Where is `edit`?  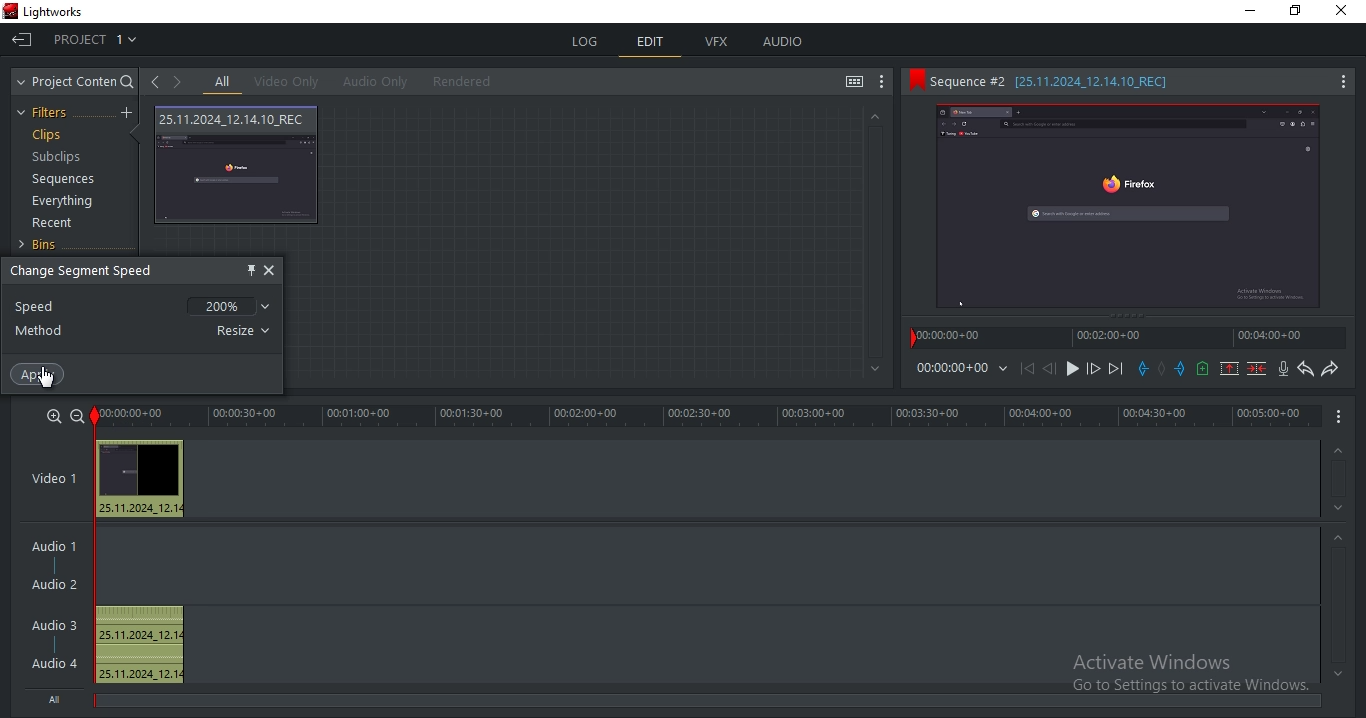 edit is located at coordinates (651, 44).